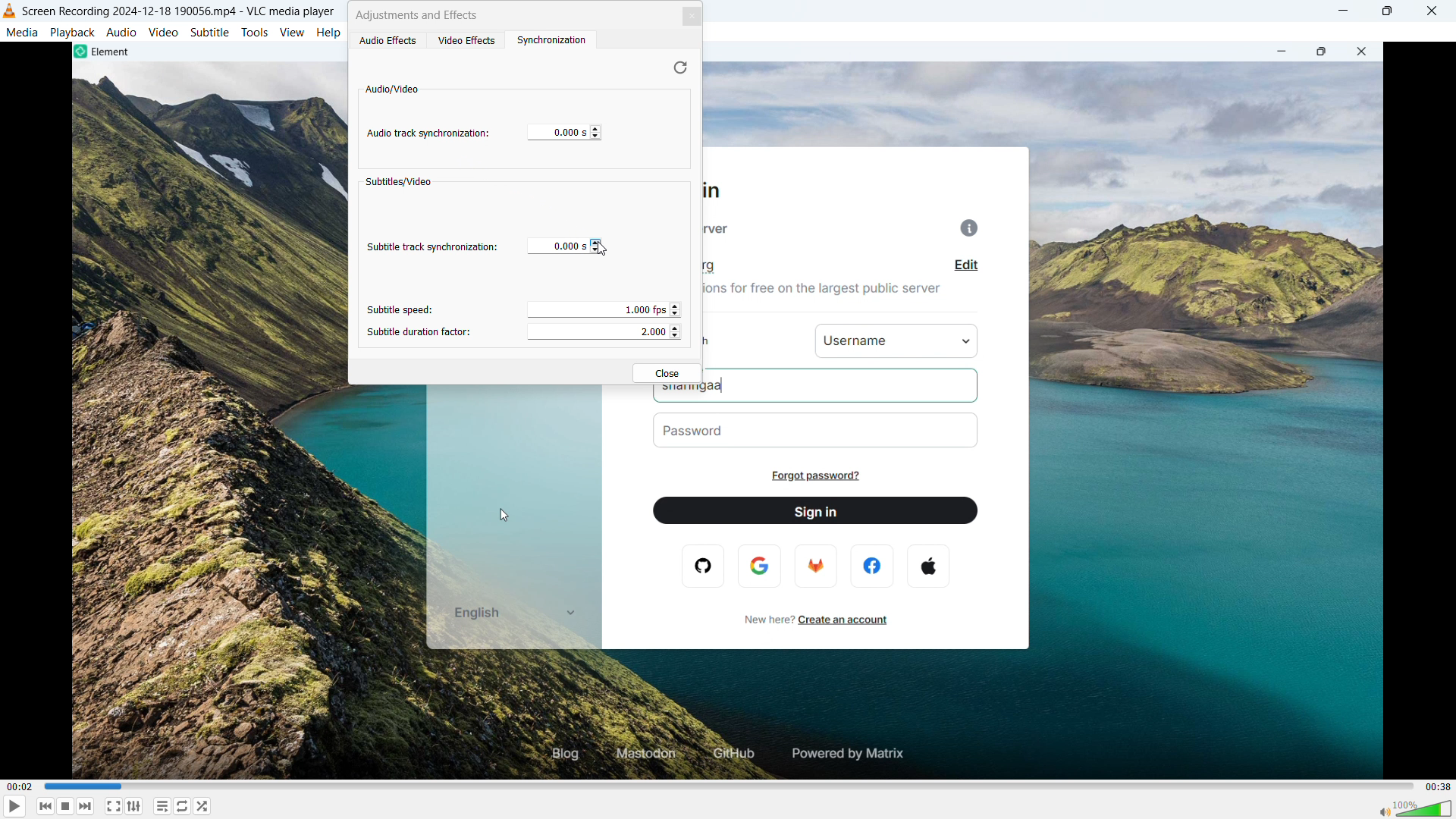 The width and height of the screenshot is (1456, 819). What do you see at coordinates (113, 806) in the screenshot?
I see `fullscreen` at bounding box center [113, 806].